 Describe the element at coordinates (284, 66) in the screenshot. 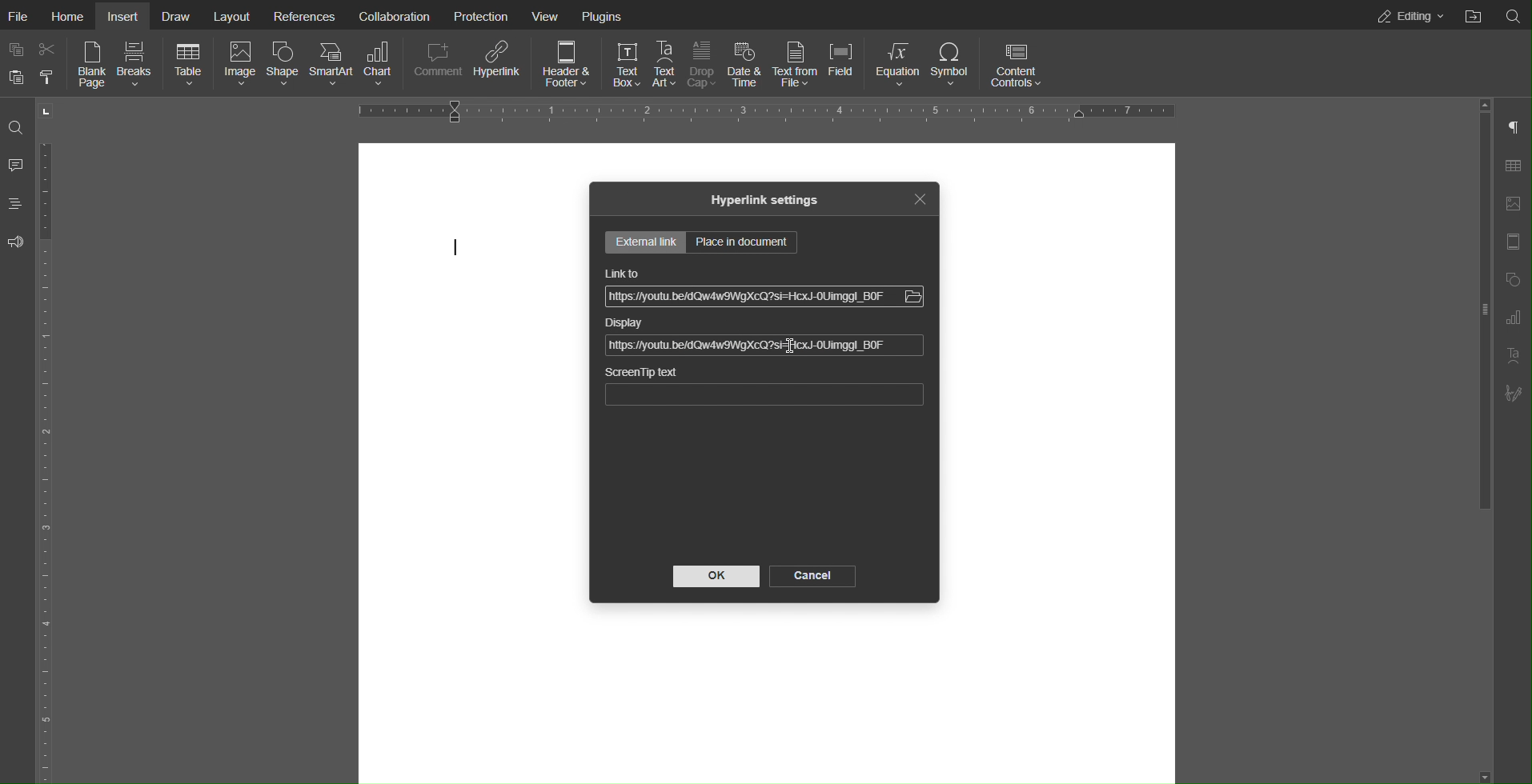

I see `Shape` at that location.